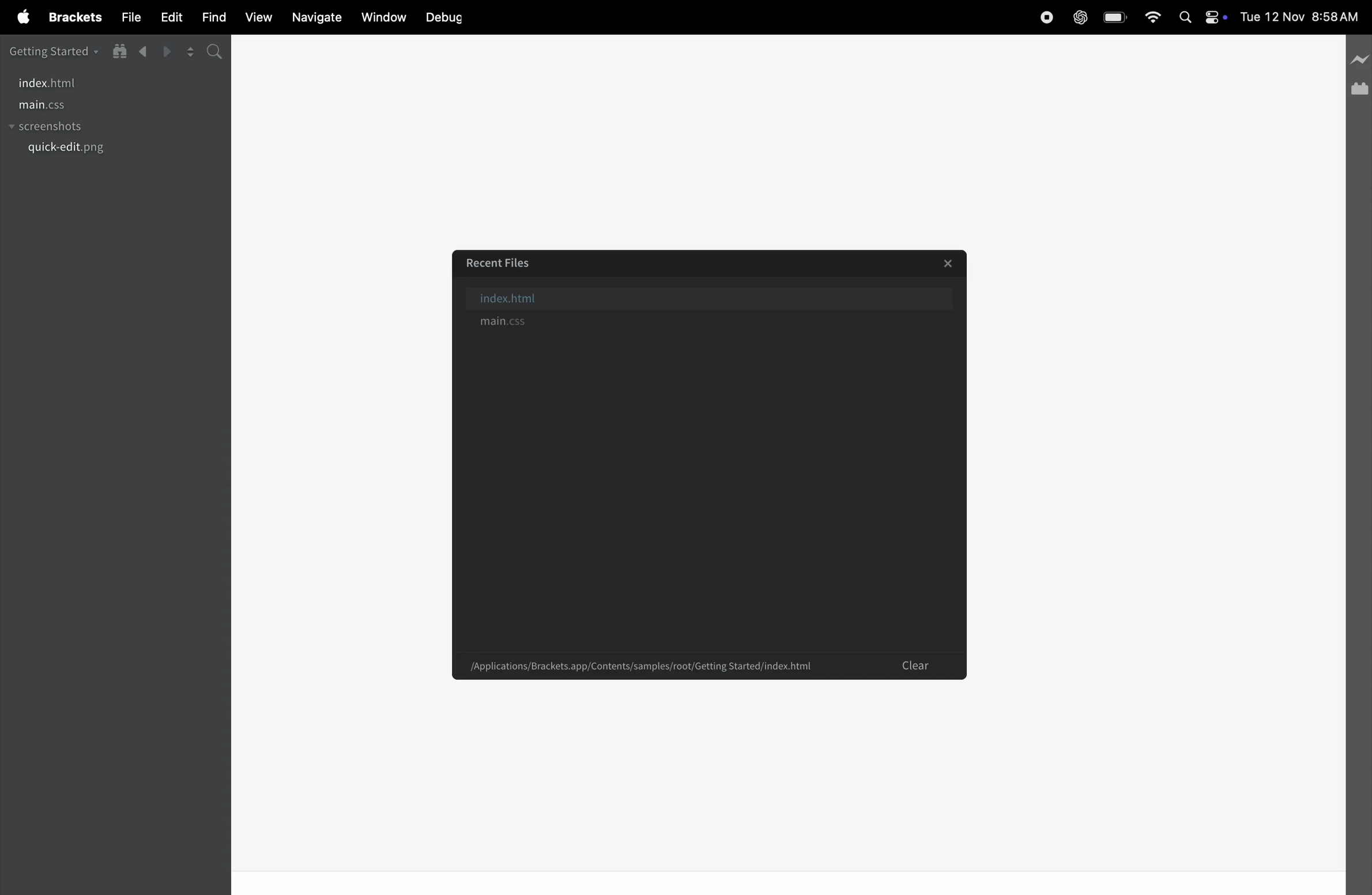 The height and width of the screenshot is (895, 1372). Describe the element at coordinates (144, 52) in the screenshot. I see `backward` at that location.